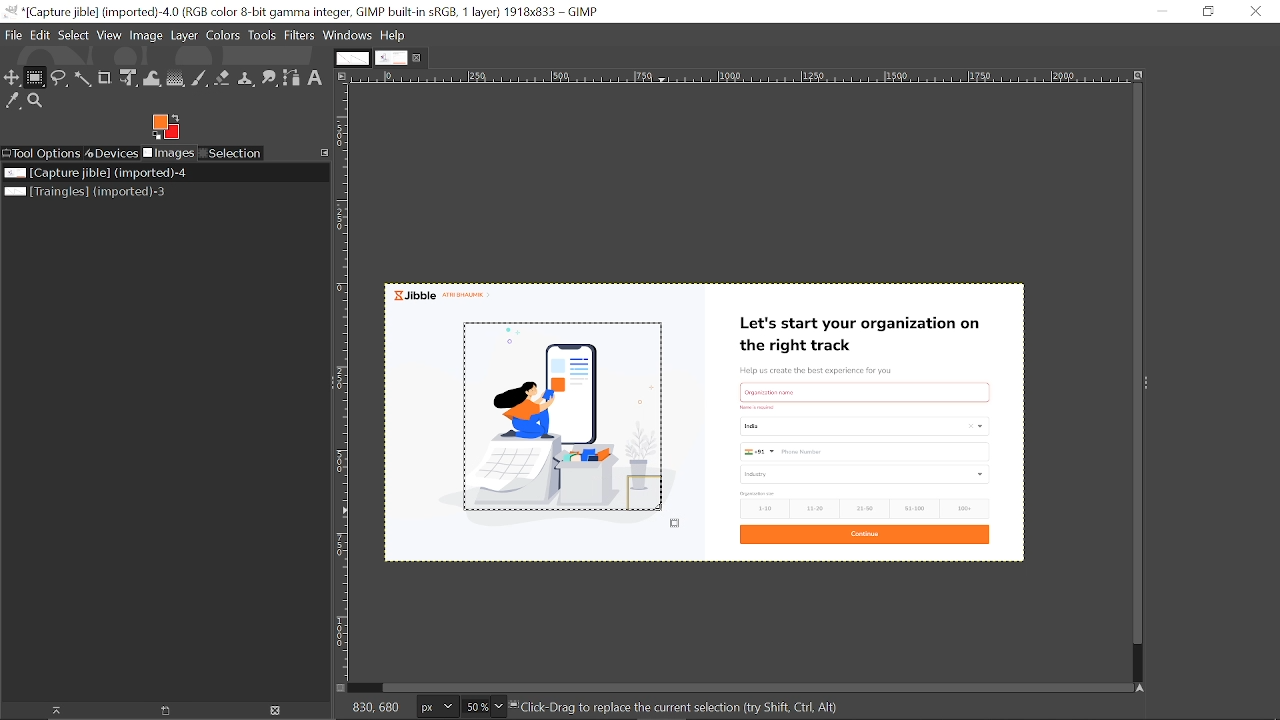 Image resolution: width=1280 pixels, height=720 pixels. Describe the element at coordinates (115, 152) in the screenshot. I see `Devices` at that location.